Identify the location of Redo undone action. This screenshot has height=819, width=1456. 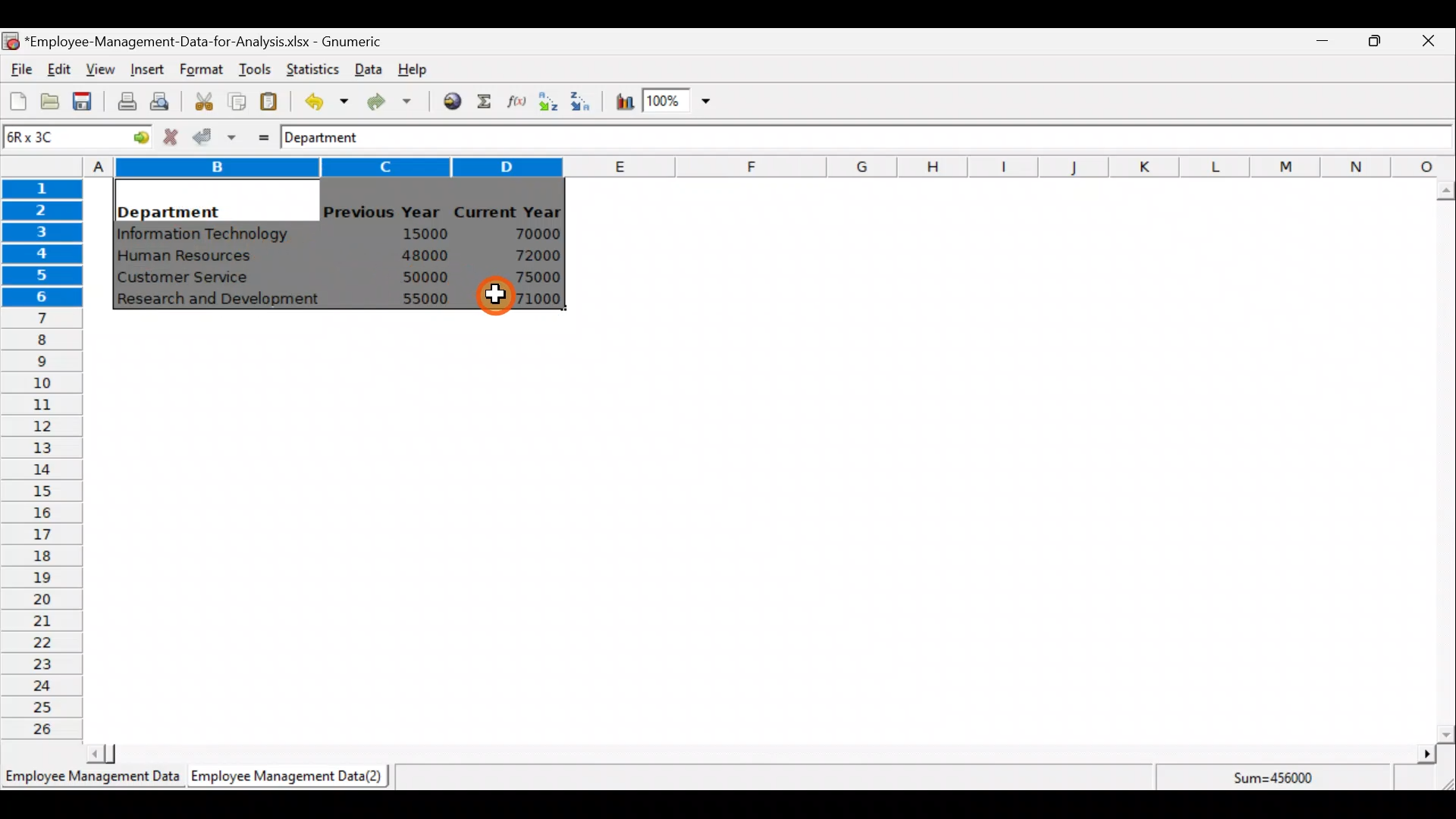
(386, 102).